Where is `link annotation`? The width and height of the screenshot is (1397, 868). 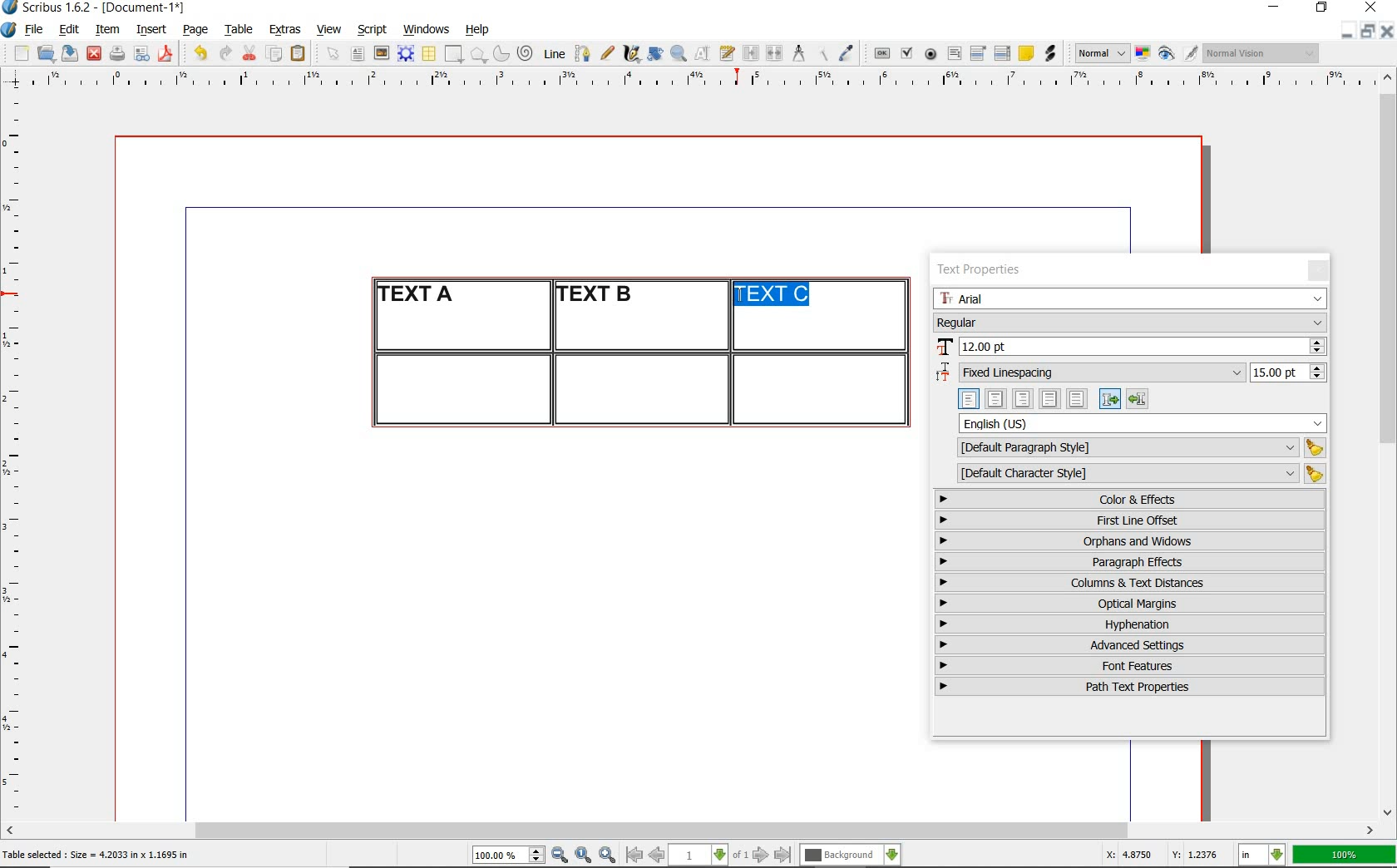
link annotation is located at coordinates (1052, 53).